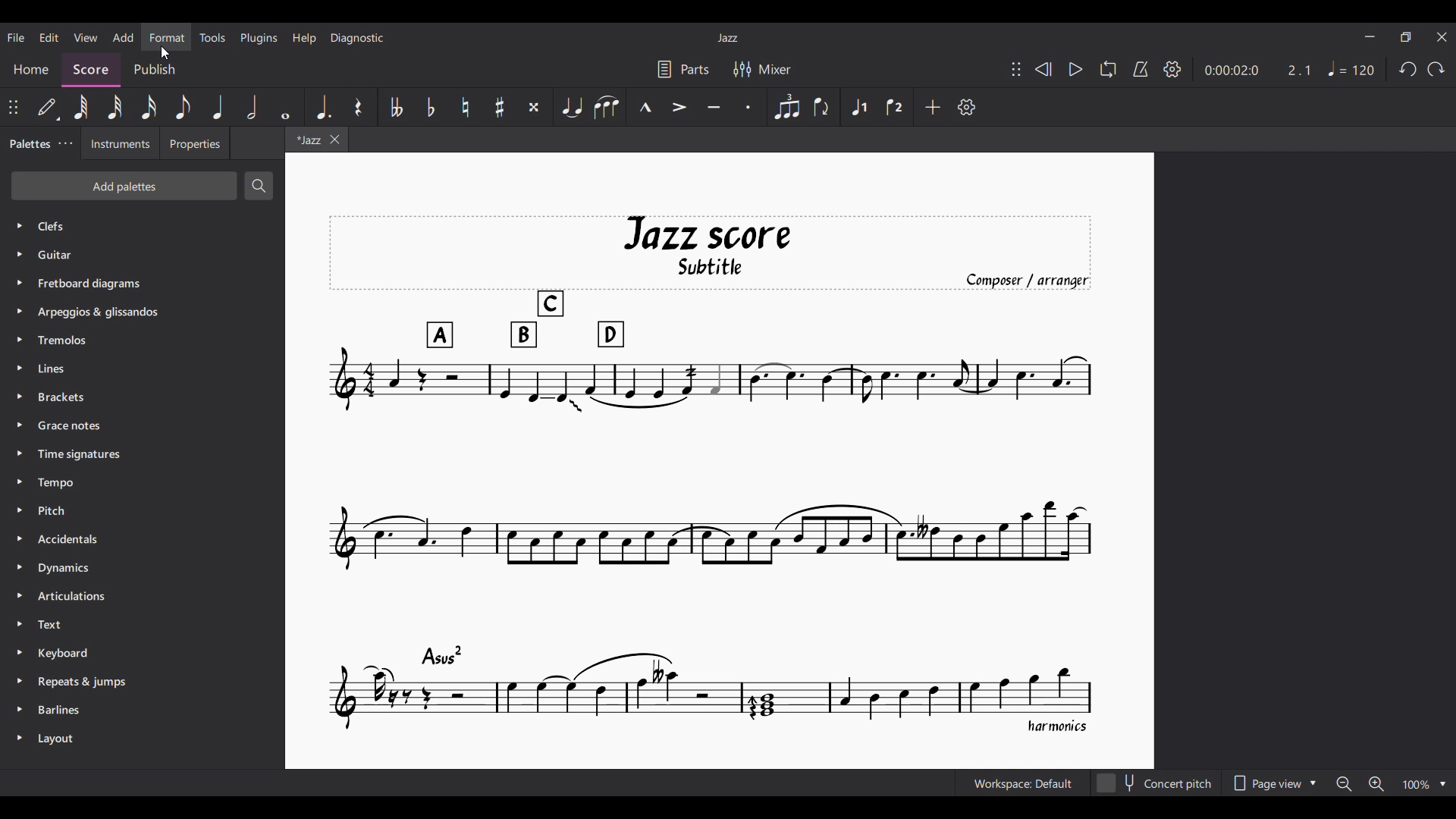 This screenshot has height=819, width=1456. What do you see at coordinates (167, 55) in the screenshot?
I see `Cursor` at bounding box center [167, 55].